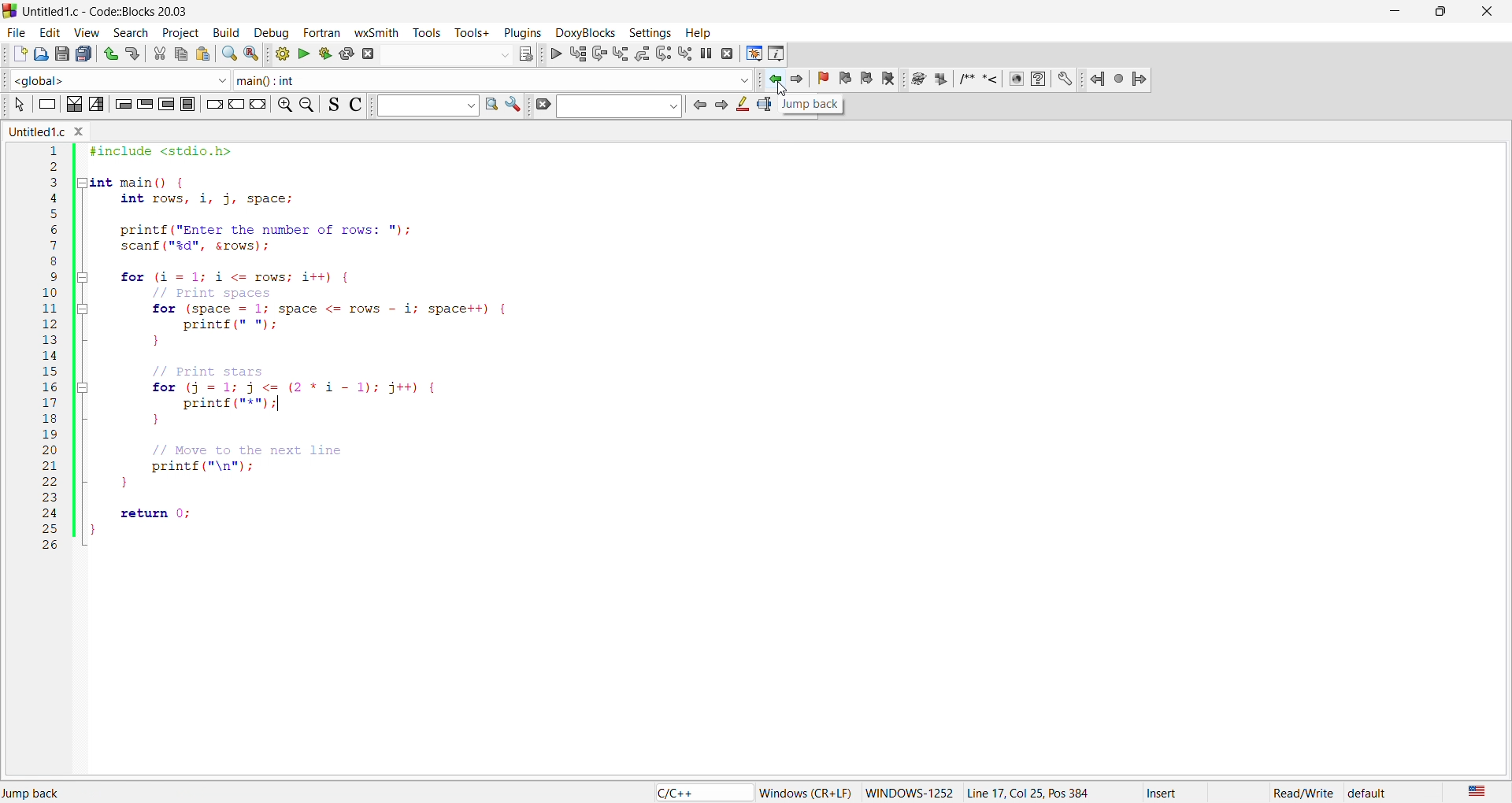 This screenshot has height=803, width=1512. I want to click on title bar - Untitled1.c-Code::Blocks 20.03, so click(684, 10).